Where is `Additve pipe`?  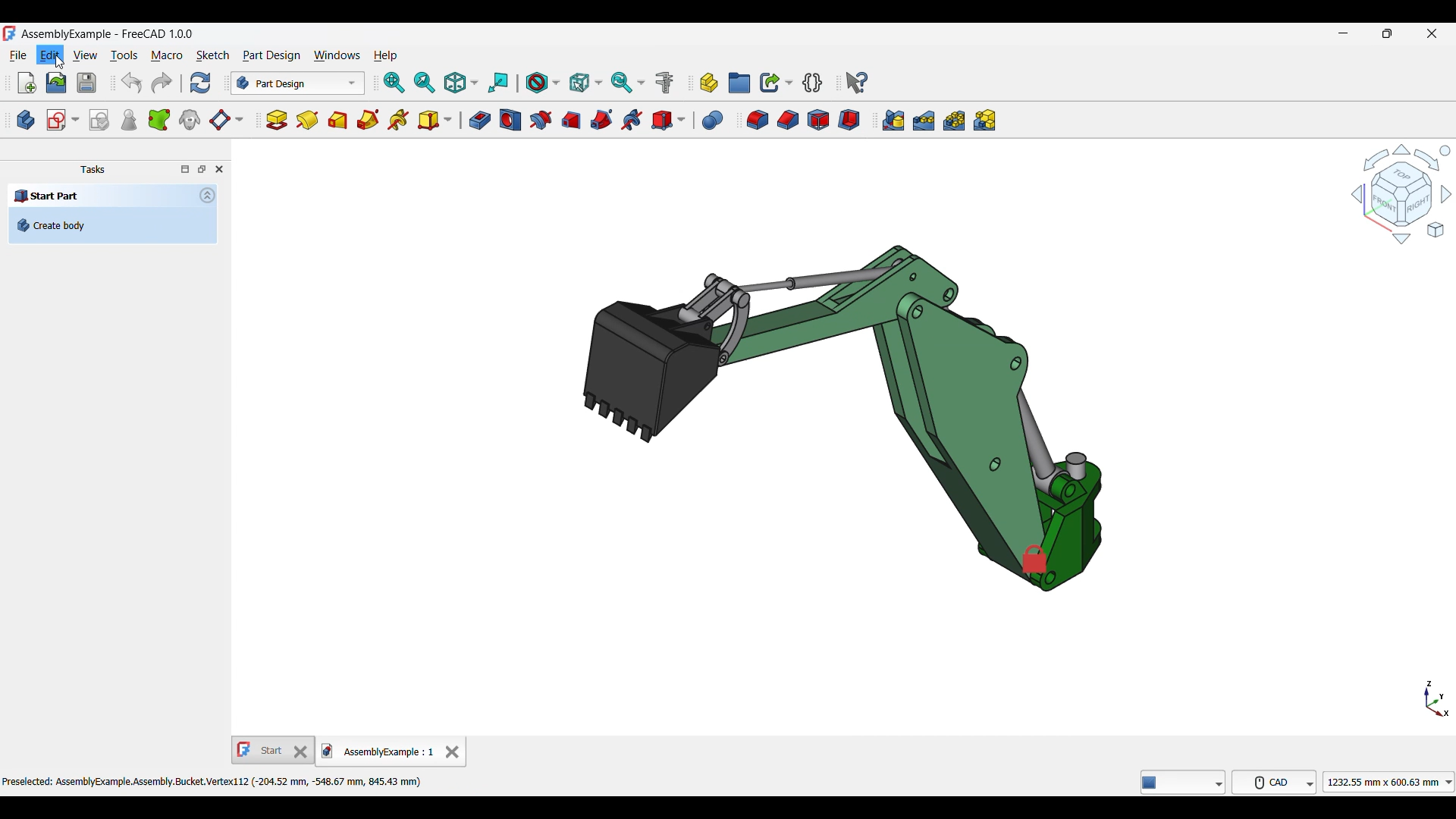
Additve pipe is located at coordinates (369, 120).